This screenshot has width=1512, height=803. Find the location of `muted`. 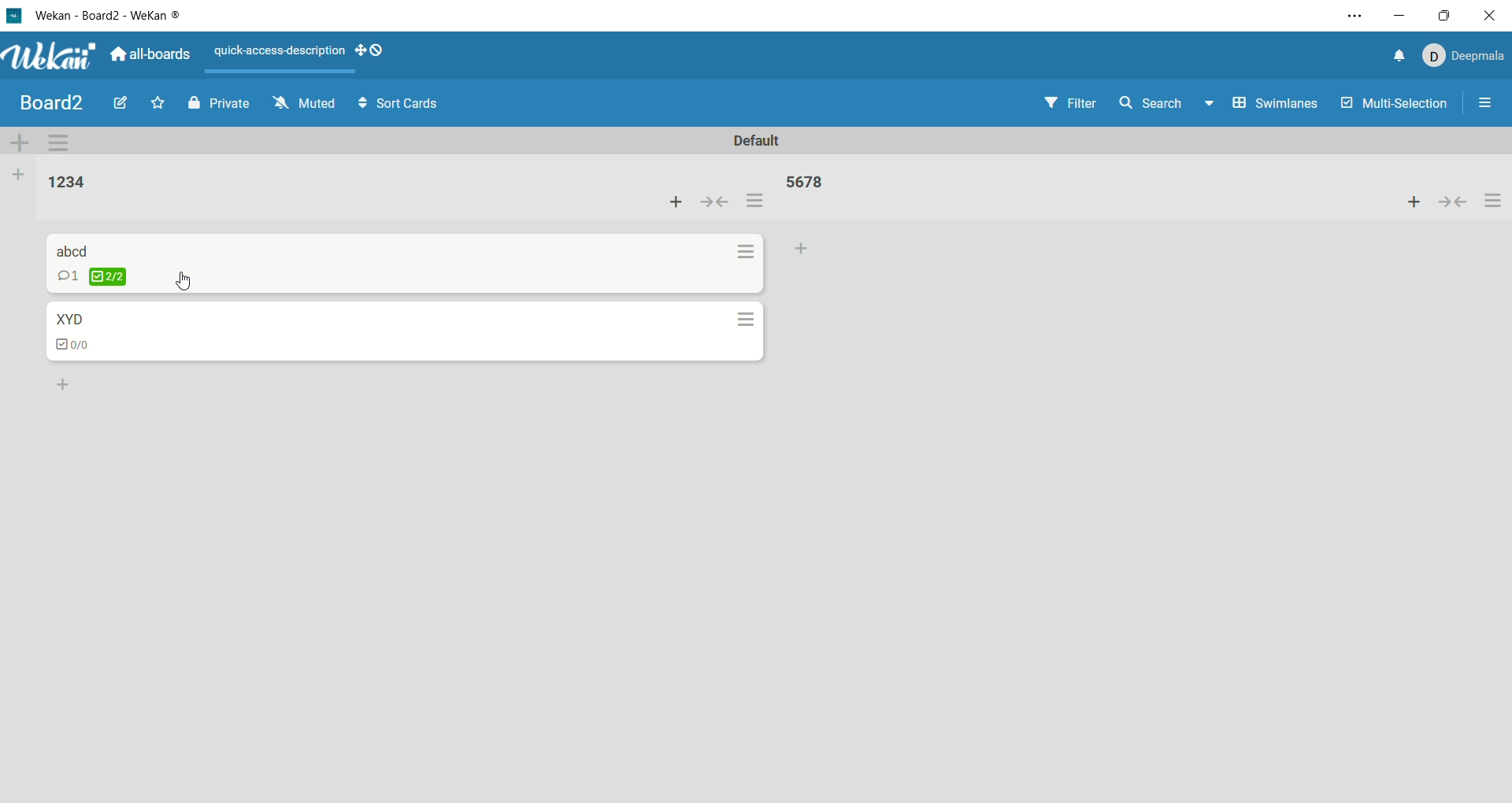

muted is located at coordinates (305, 102).